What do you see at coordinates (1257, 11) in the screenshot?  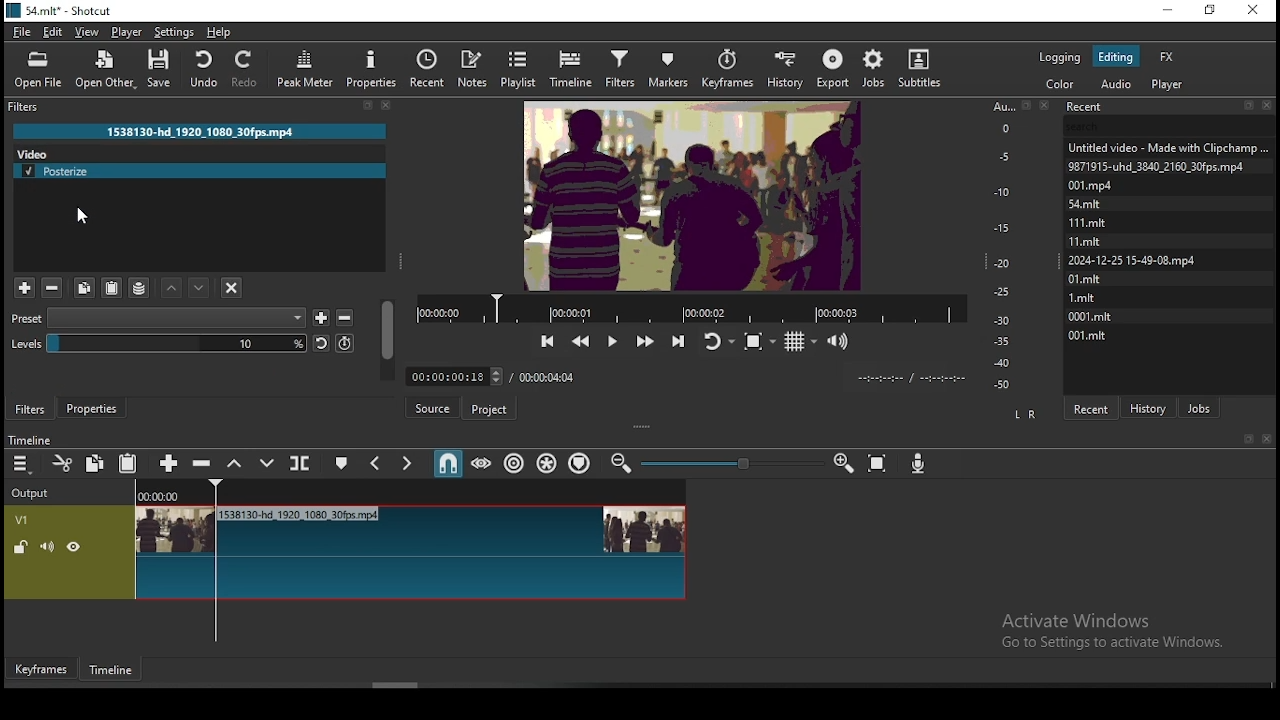 I see `close window` at bounding box center [1257, 11].